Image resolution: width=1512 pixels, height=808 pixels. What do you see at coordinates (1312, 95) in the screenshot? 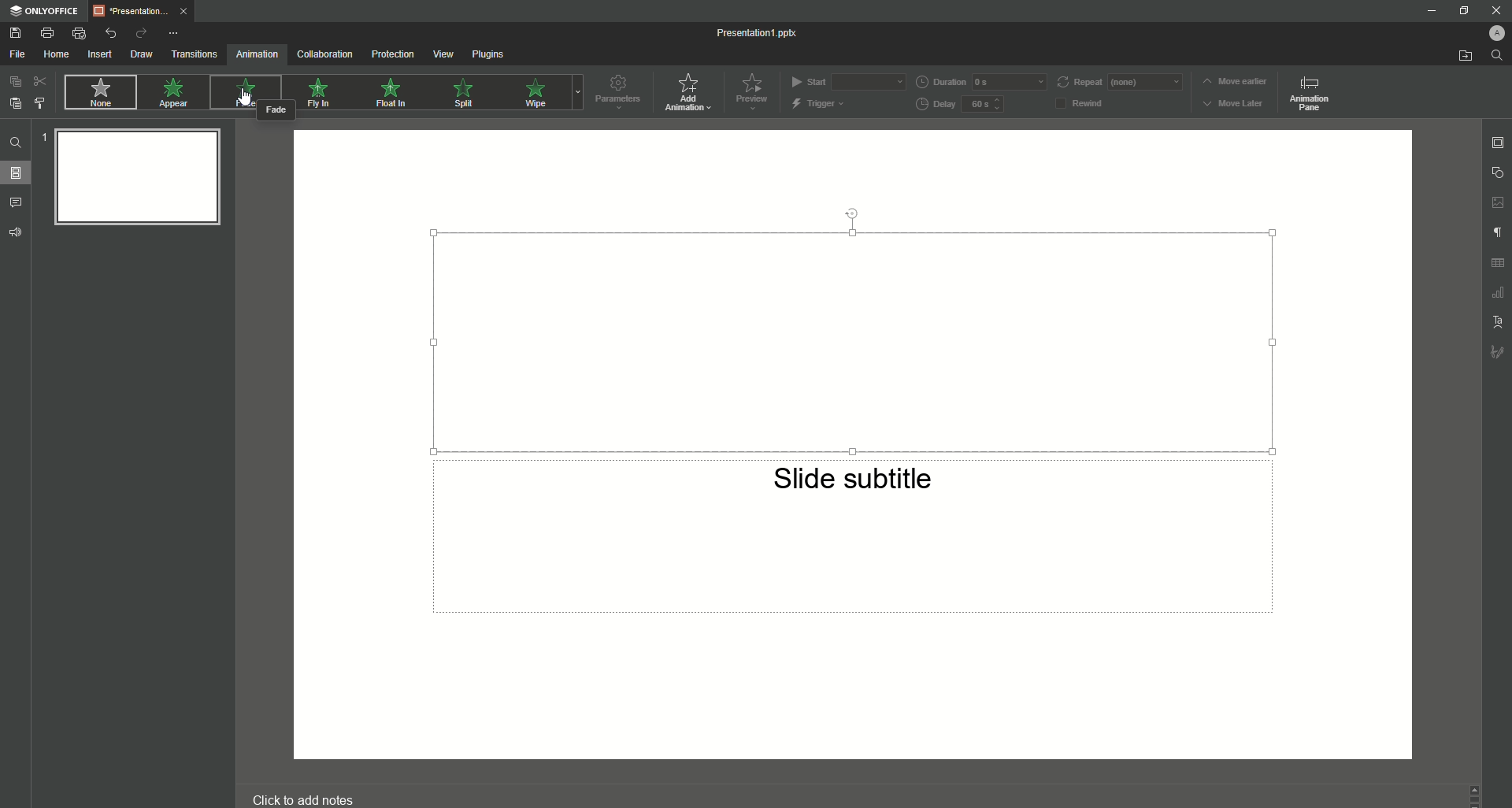
I see `Animation Pane` at bounding box center [1312, 95].